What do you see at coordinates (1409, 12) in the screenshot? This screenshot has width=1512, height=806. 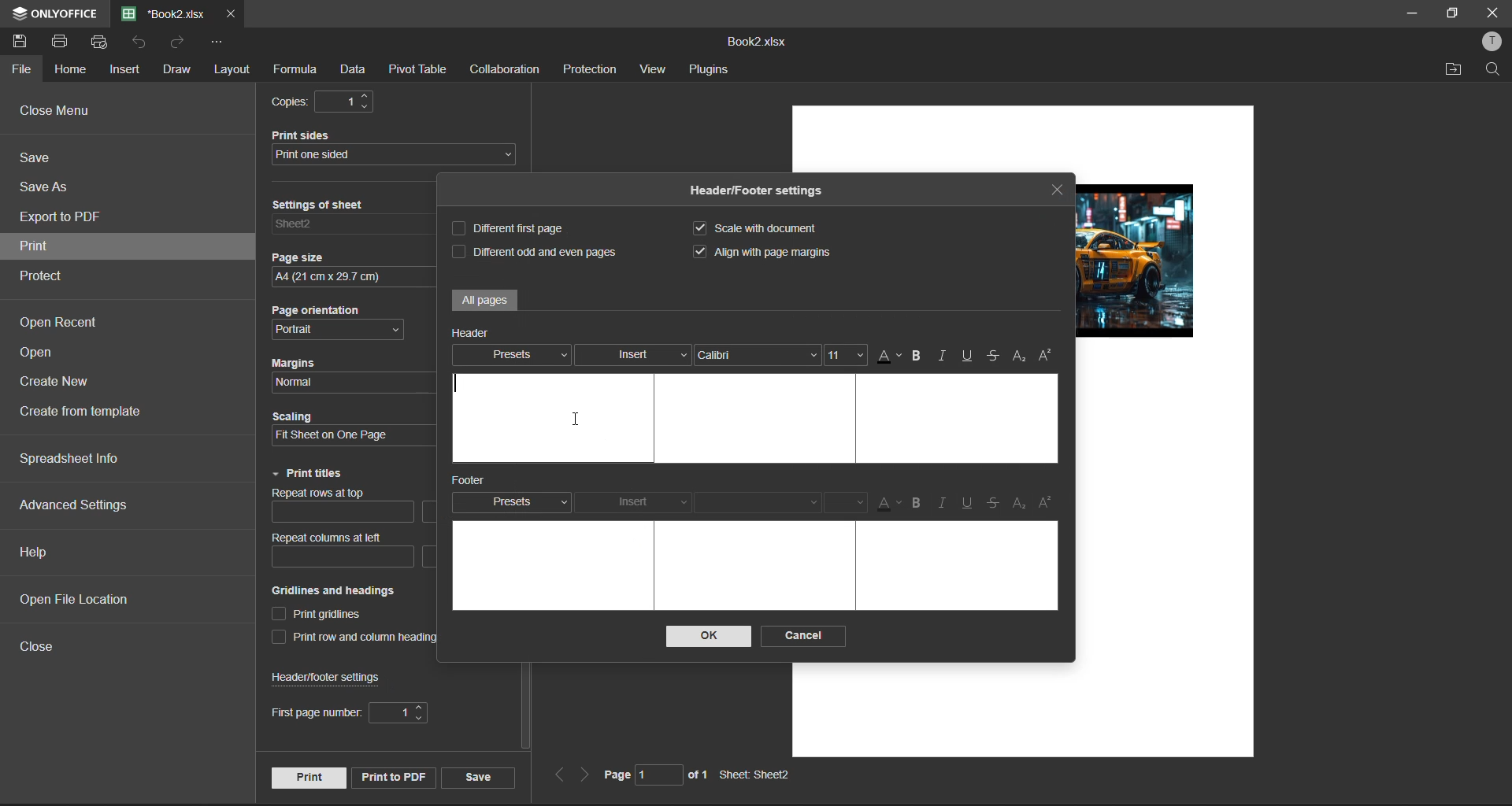 I see `minimize` at bounding box center [1409, 12].